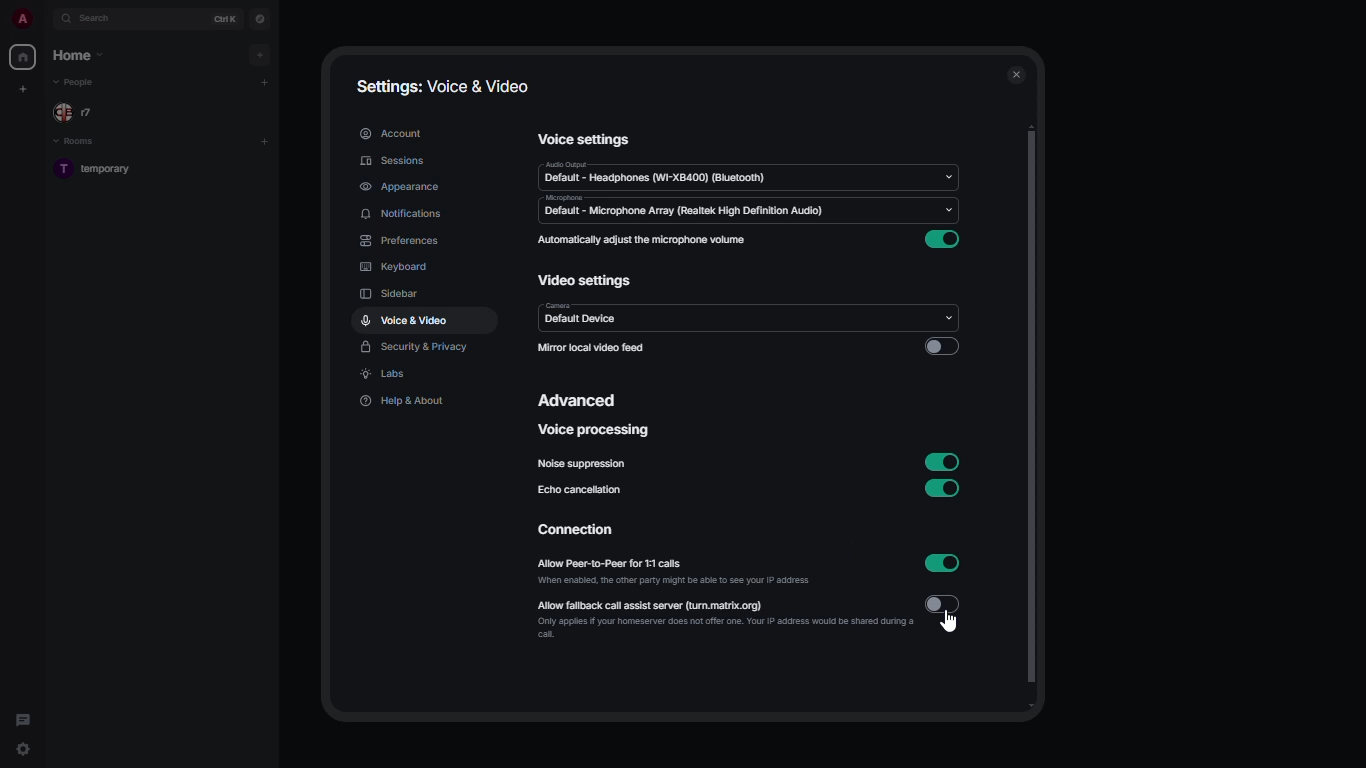 This screenshot has height=768, width=1366. Describe the element at coordinates (641, 239) in the screenshot. I see `automatically adjust the microphone volume` at that location.